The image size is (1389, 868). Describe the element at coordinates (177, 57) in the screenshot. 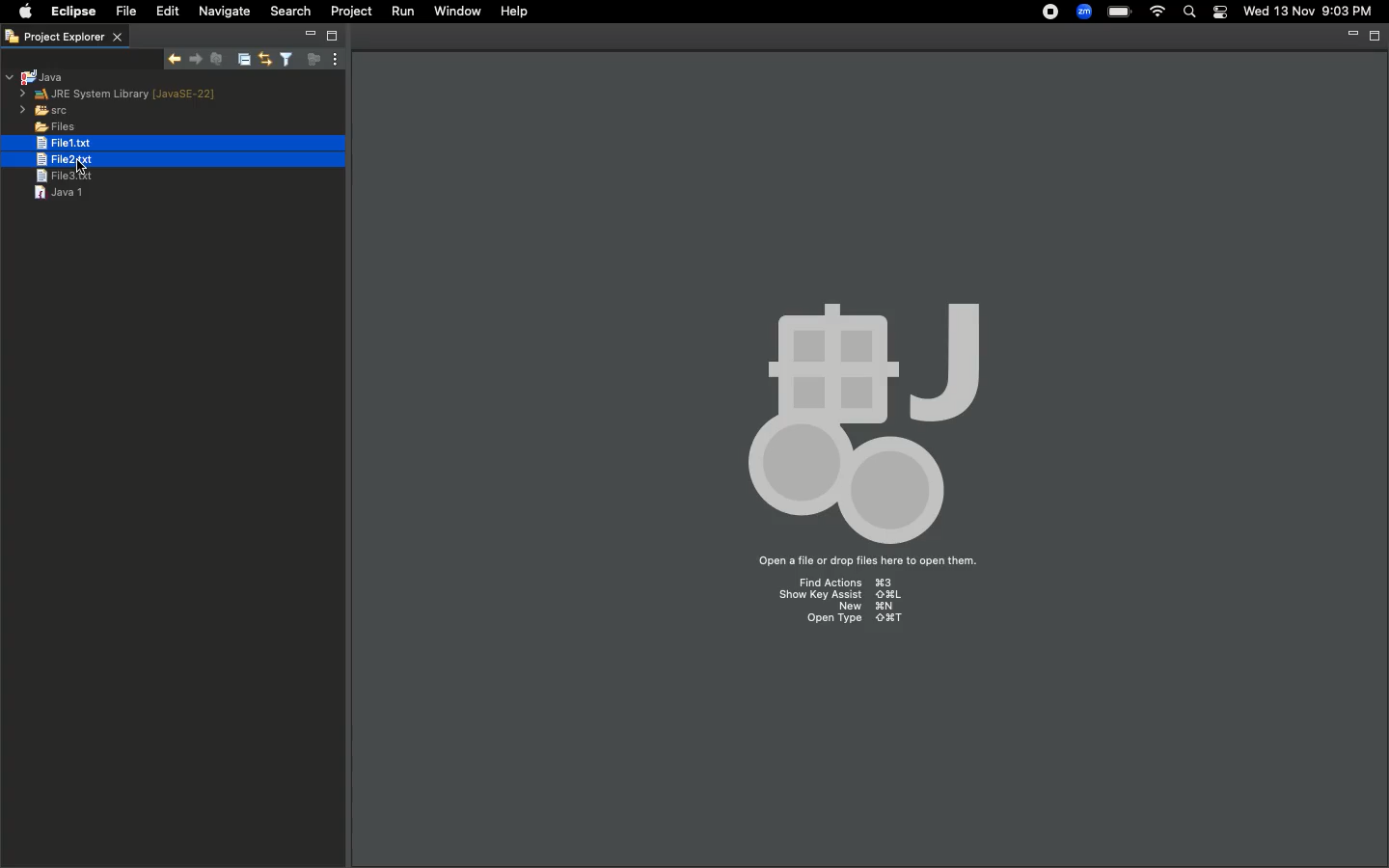

I see `Show next match` at that location.